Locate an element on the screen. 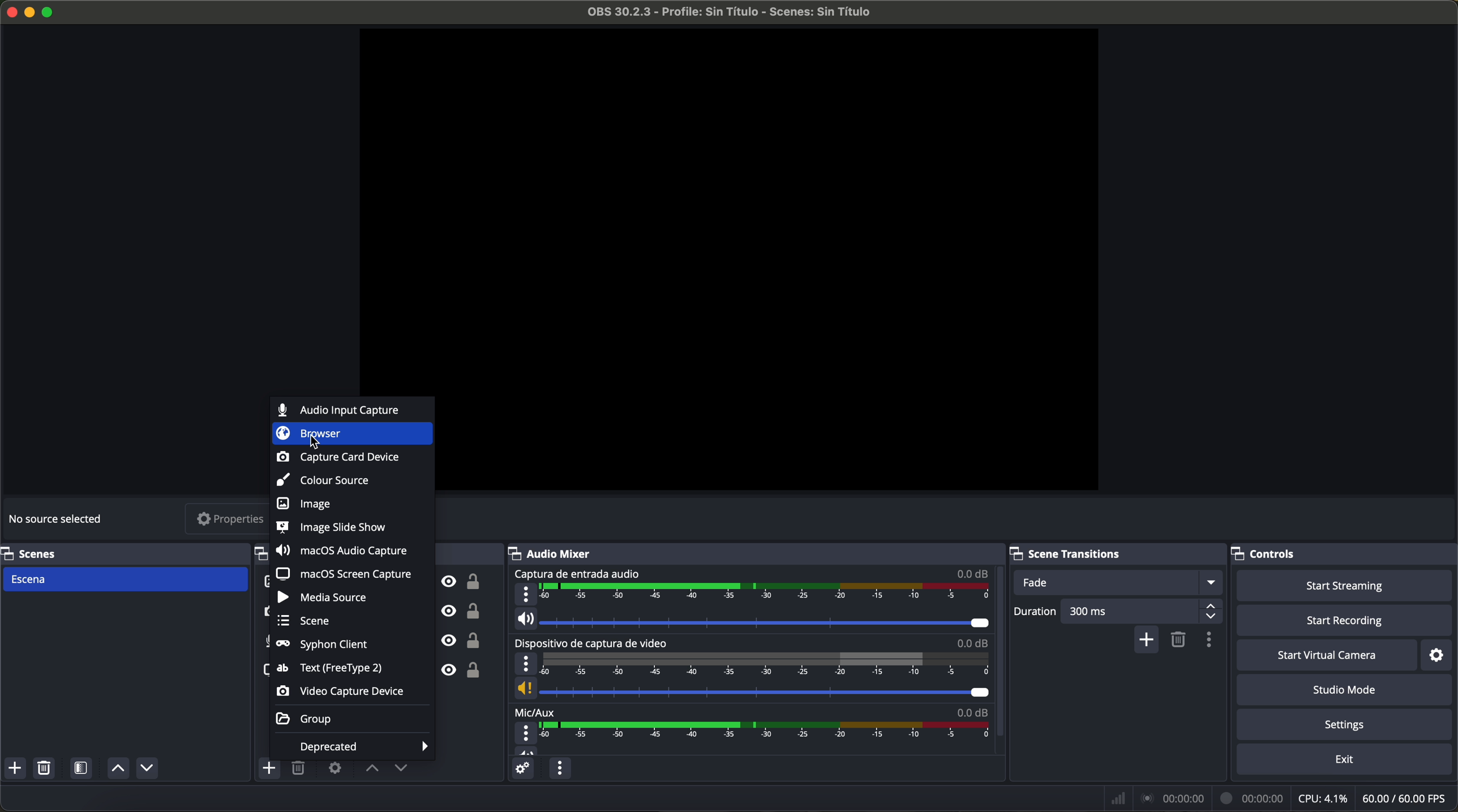 Image resolution: width=1458 pixels, height=812 pixels. scene is located at coordinates (305, 622).